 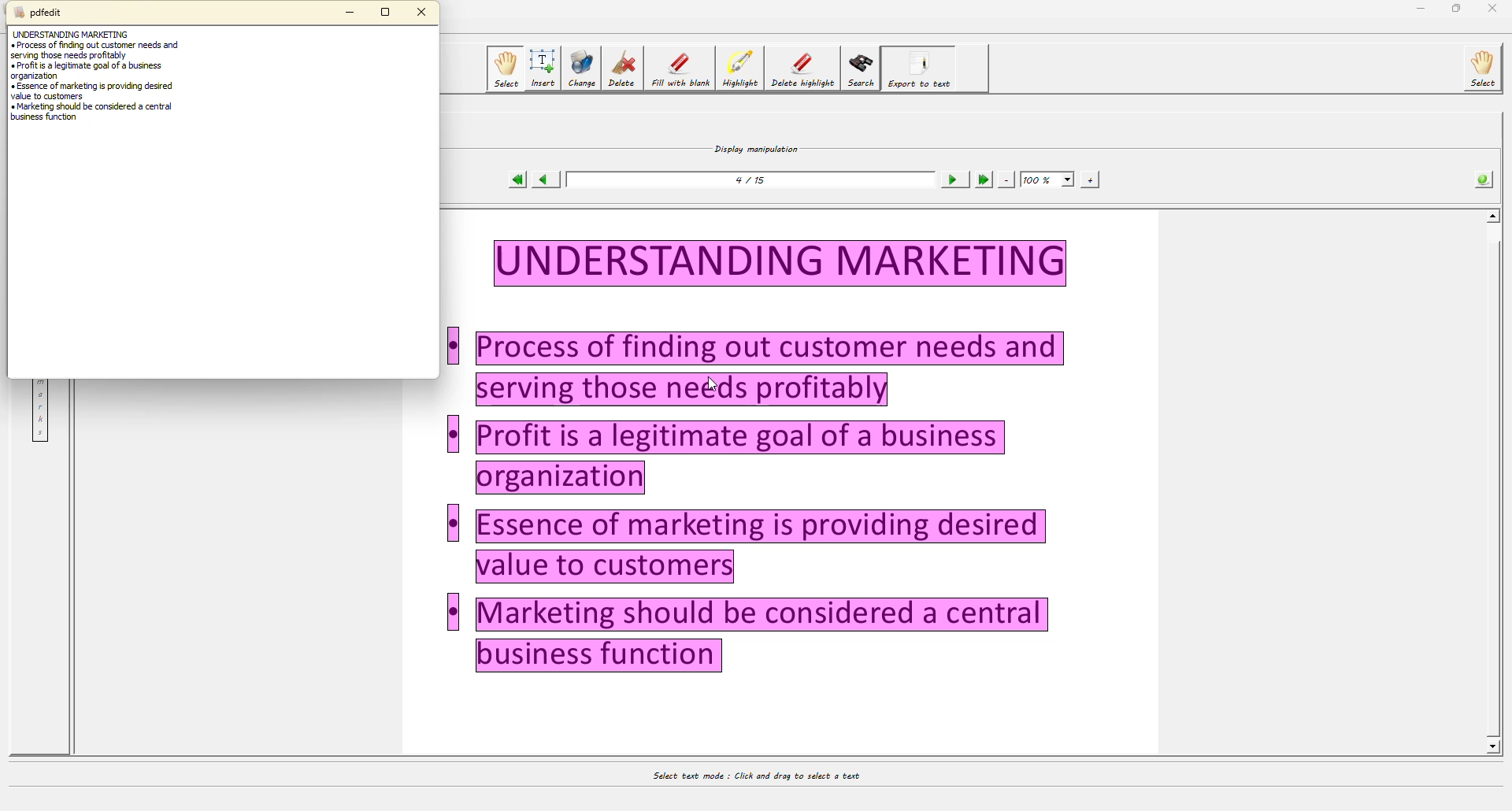 What do you see at coordinates (764, 637) in the screenshot?
I see `` at bounding box center [764, 637].